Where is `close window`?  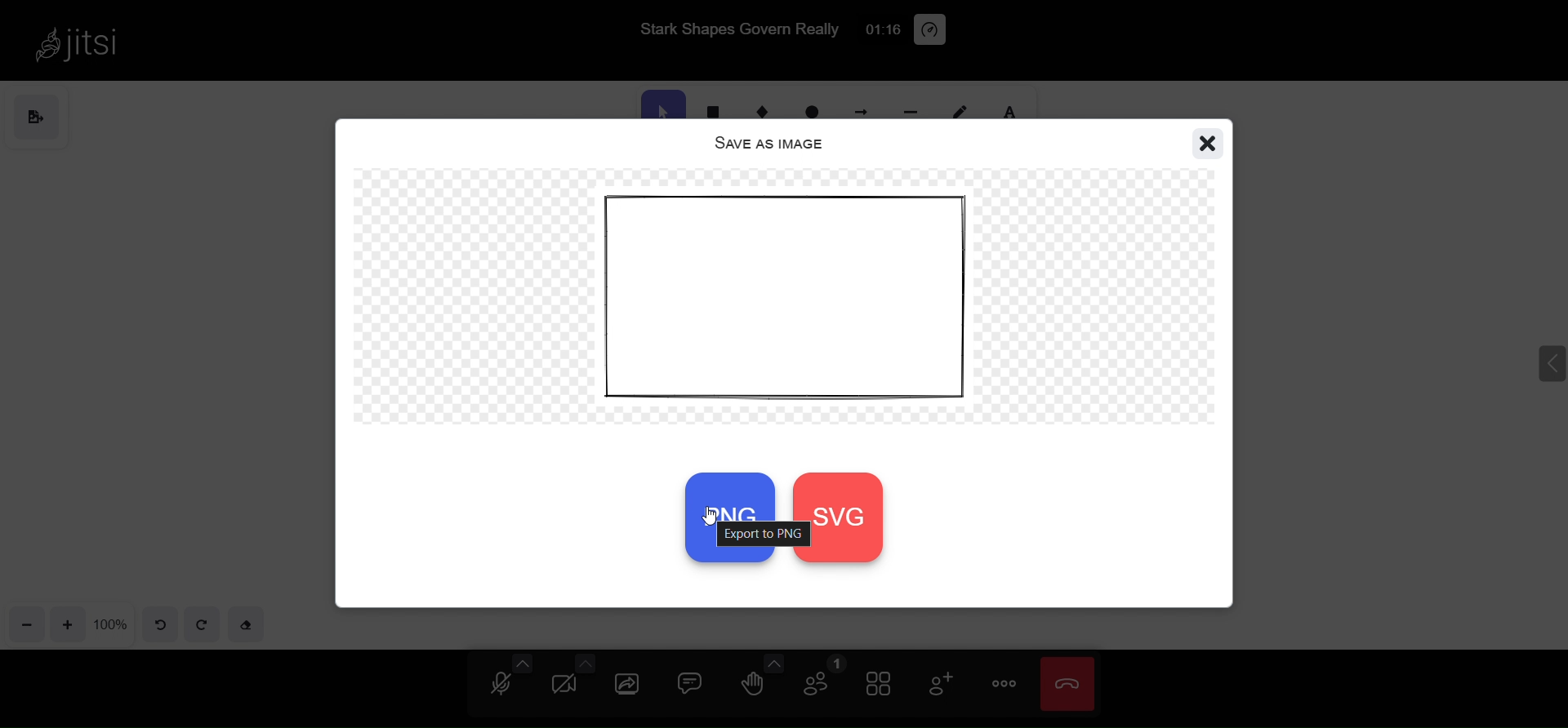
close window is located at coordinates (1206, 143).